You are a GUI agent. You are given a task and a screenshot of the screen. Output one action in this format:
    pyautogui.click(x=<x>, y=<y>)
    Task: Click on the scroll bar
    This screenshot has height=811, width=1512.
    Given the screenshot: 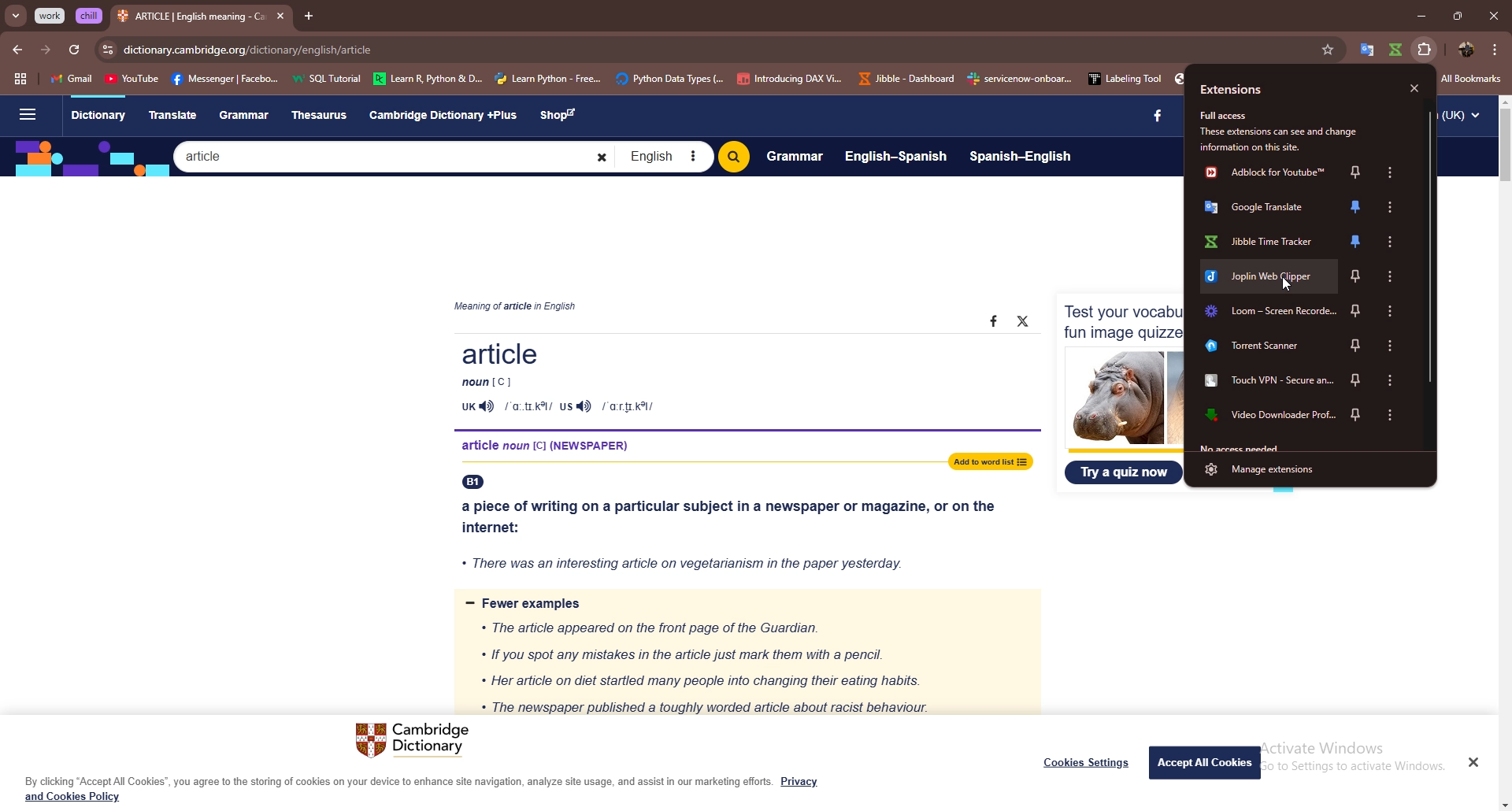 What is the action you would take?
    pyautogui.click(x=1506, y=147)
    